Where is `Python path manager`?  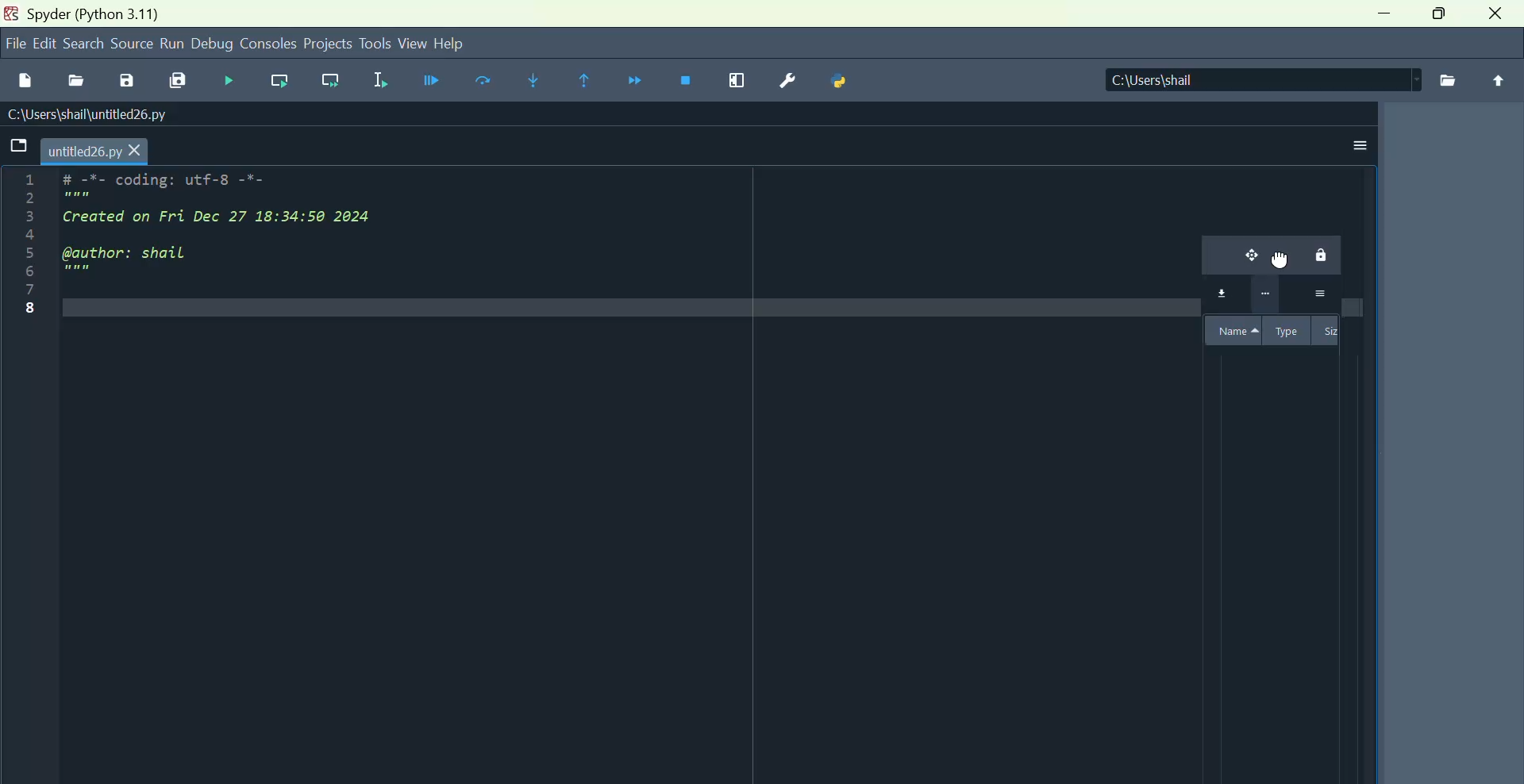 Python path manager is located at coordinates (844, 83).